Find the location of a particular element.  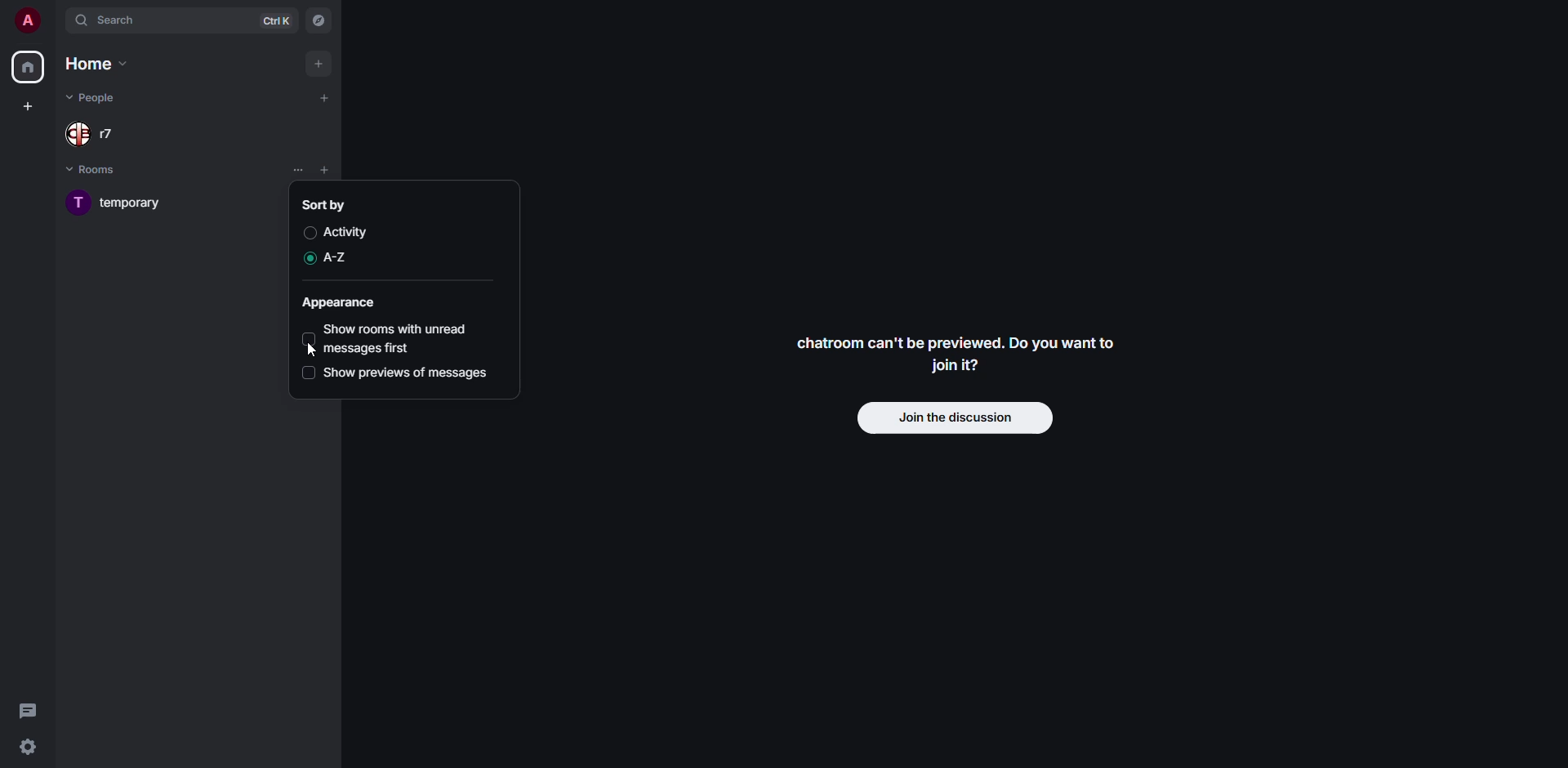

appearance is located at coordinates (341, 302).